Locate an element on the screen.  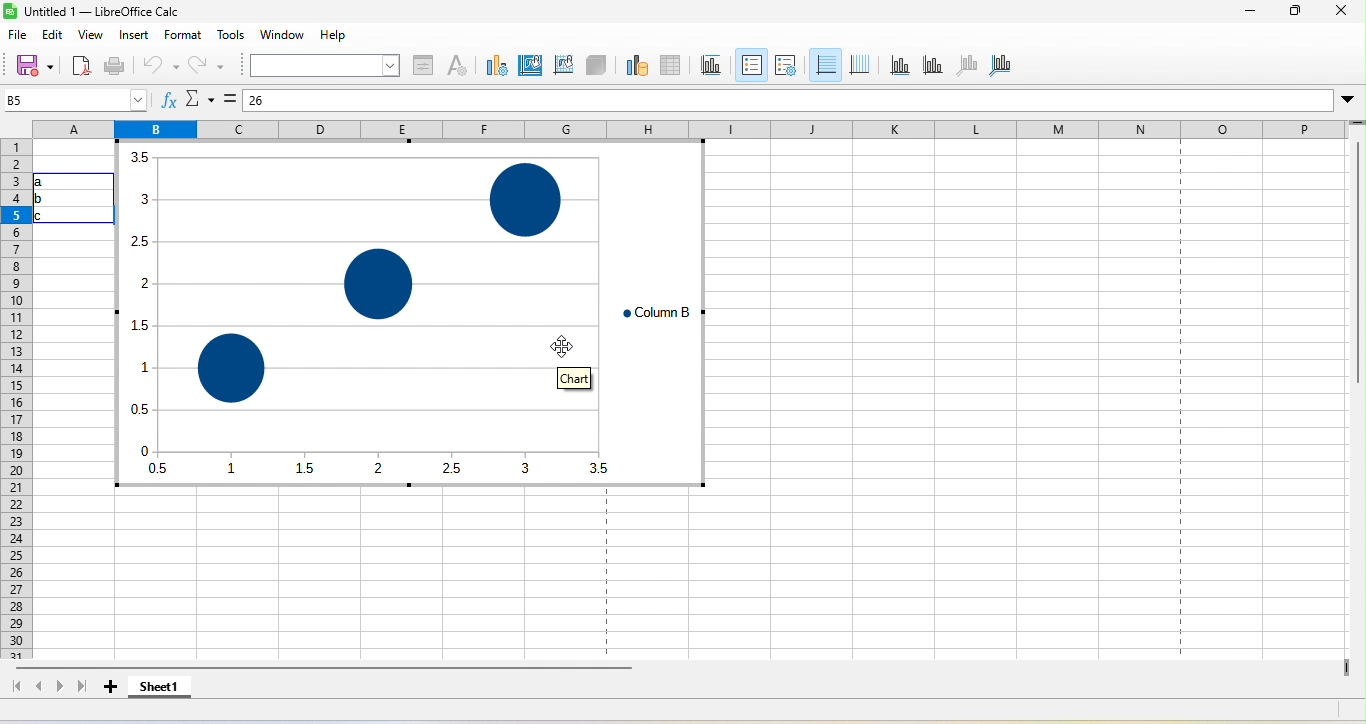
minimize is located at coordinates (1244, 13).